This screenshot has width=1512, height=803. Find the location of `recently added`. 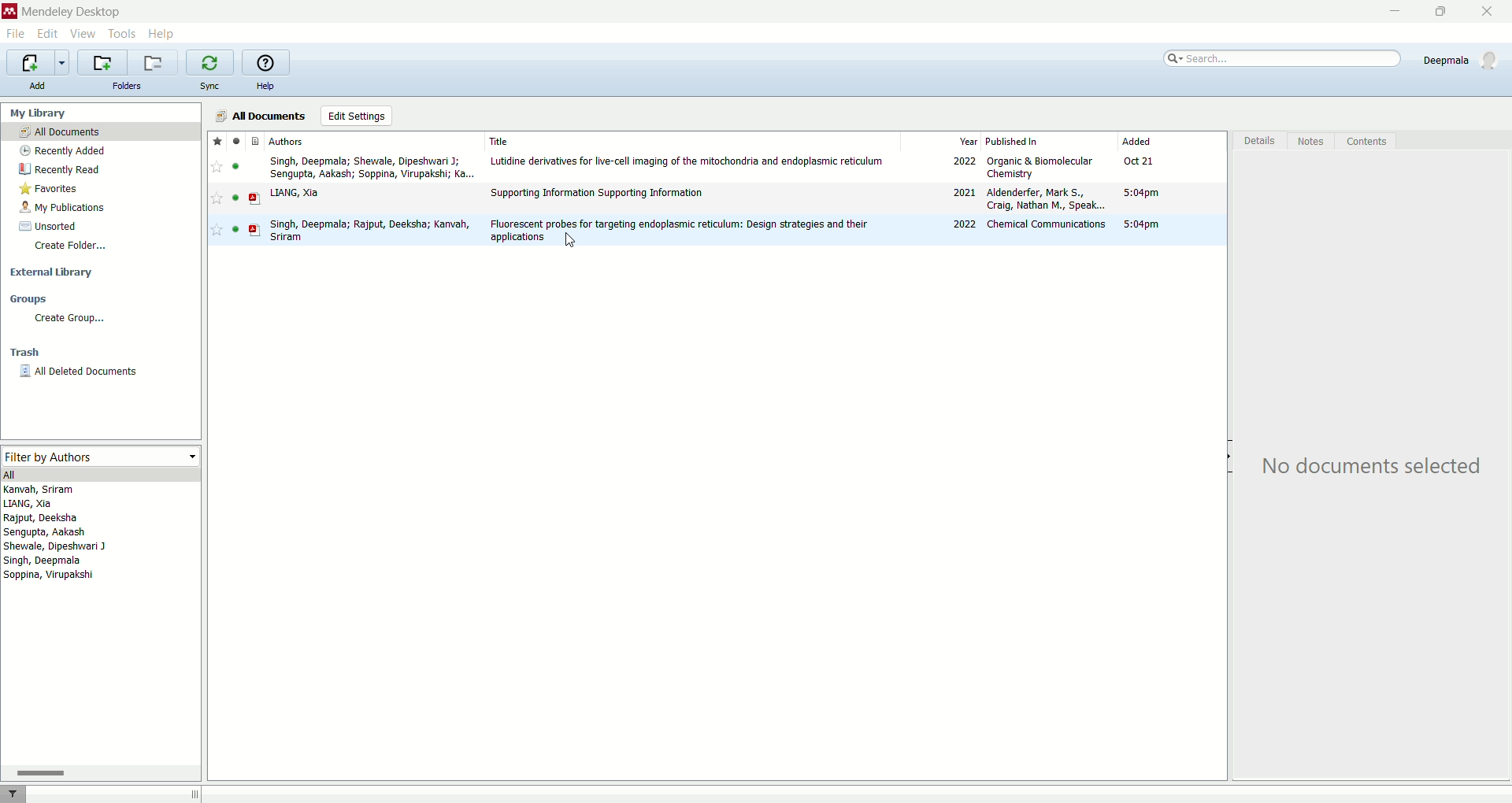

recently added is located at coordinates (65, 150).